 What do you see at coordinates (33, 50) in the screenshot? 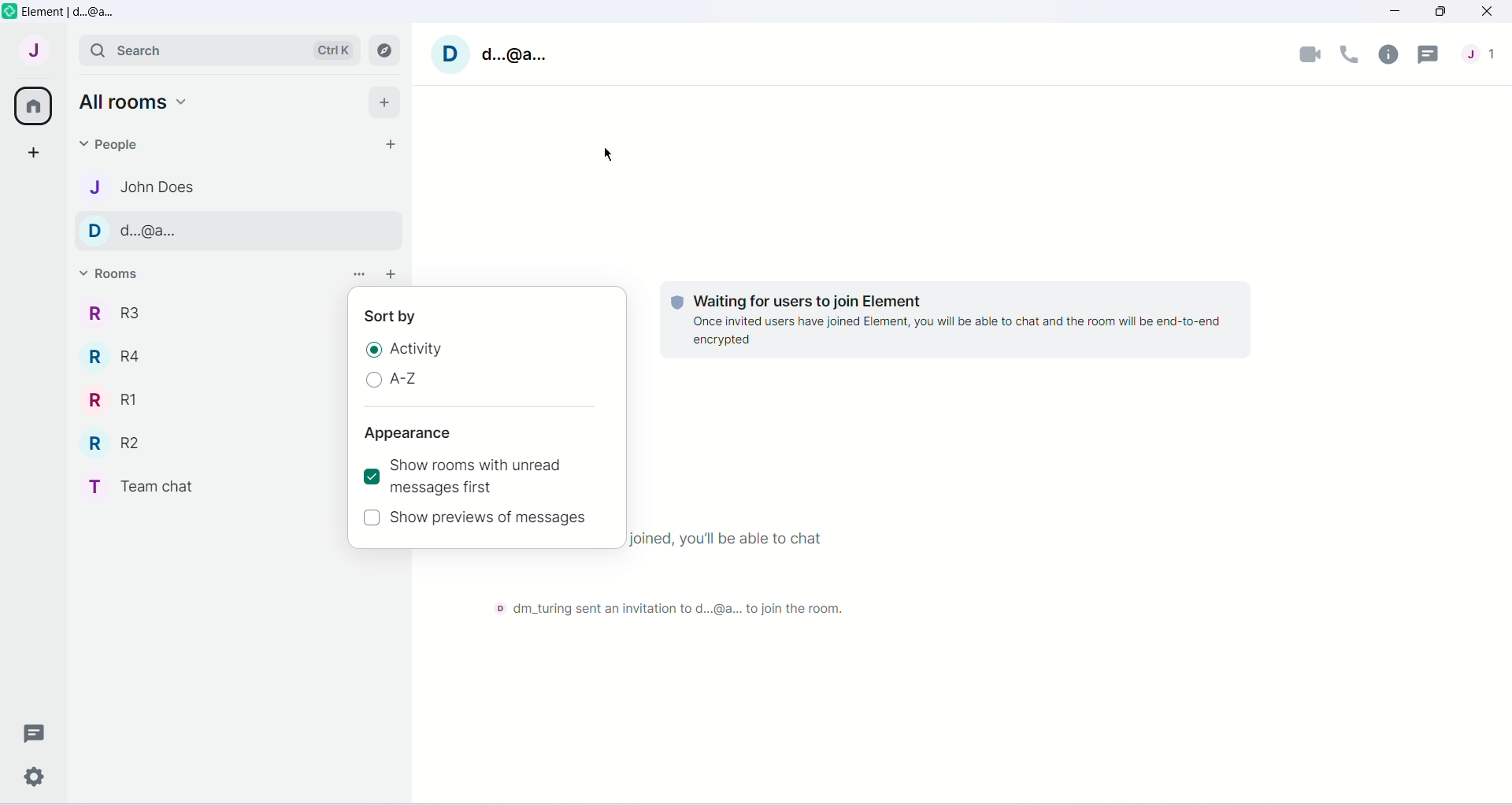
I see `User menu` at bounding box center [33, 50].